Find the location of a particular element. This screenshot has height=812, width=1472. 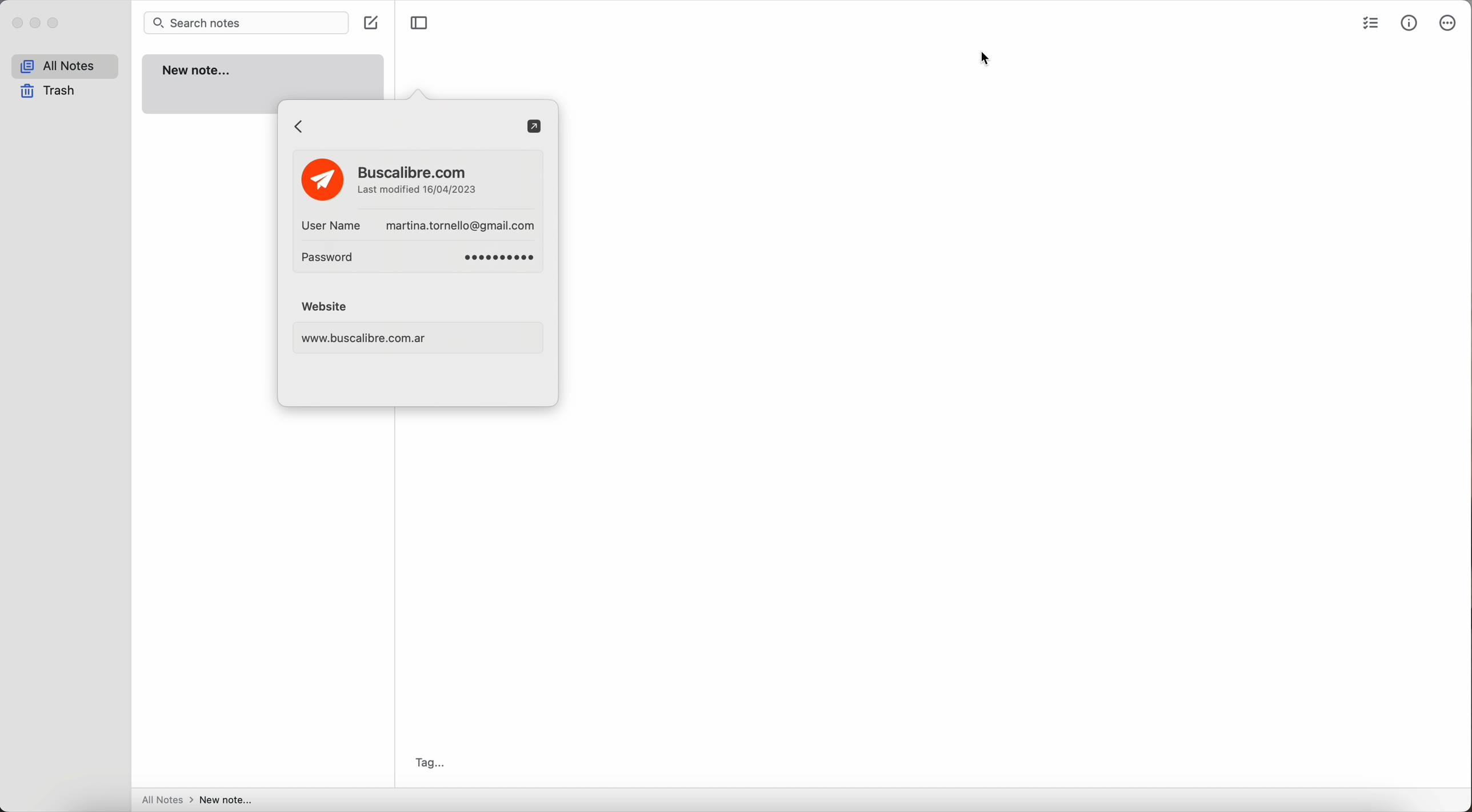

search bar is located at coordinates (245, 23).